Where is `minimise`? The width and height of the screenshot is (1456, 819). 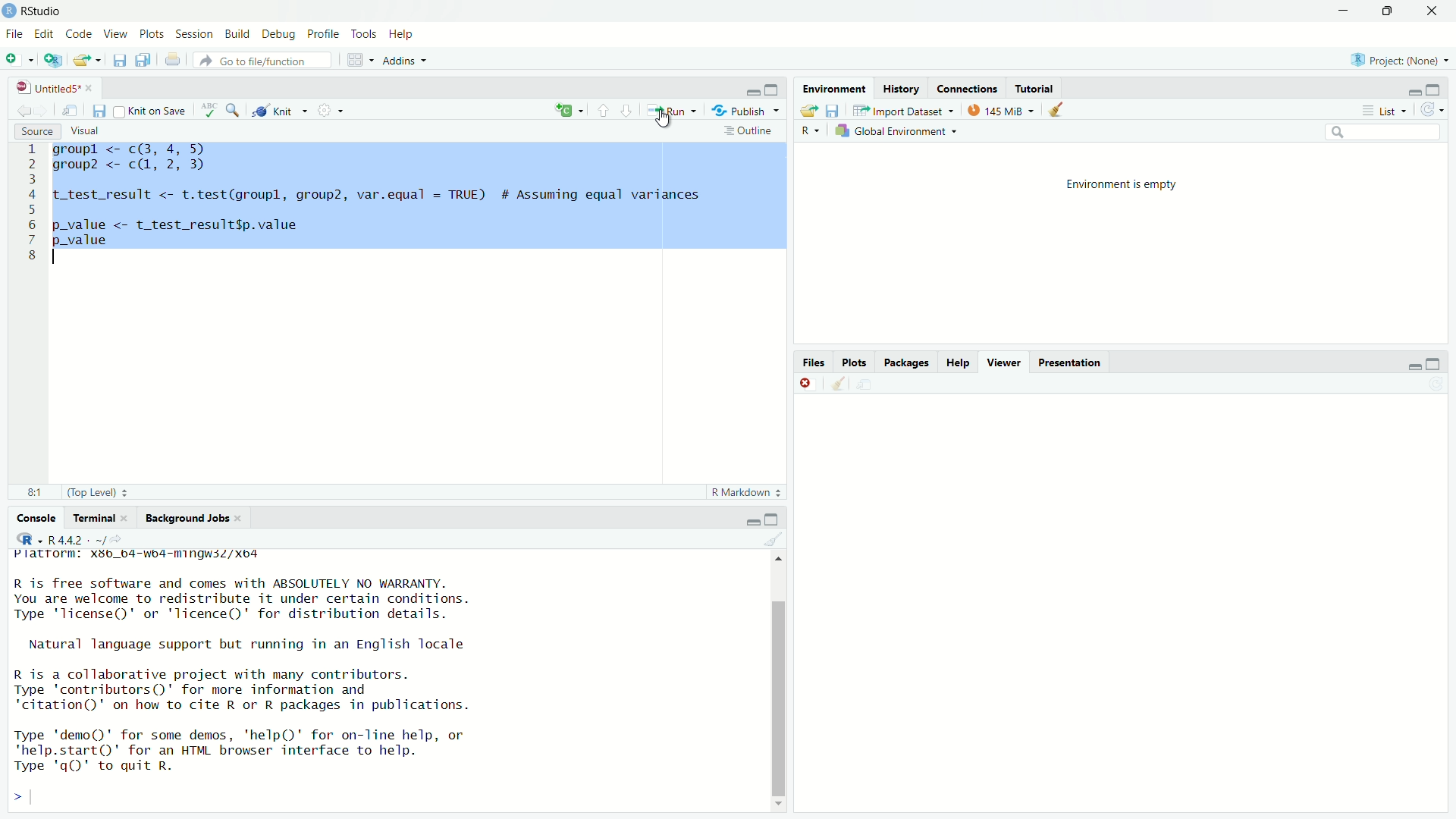 minimise is located at coordinates (1414, 365).